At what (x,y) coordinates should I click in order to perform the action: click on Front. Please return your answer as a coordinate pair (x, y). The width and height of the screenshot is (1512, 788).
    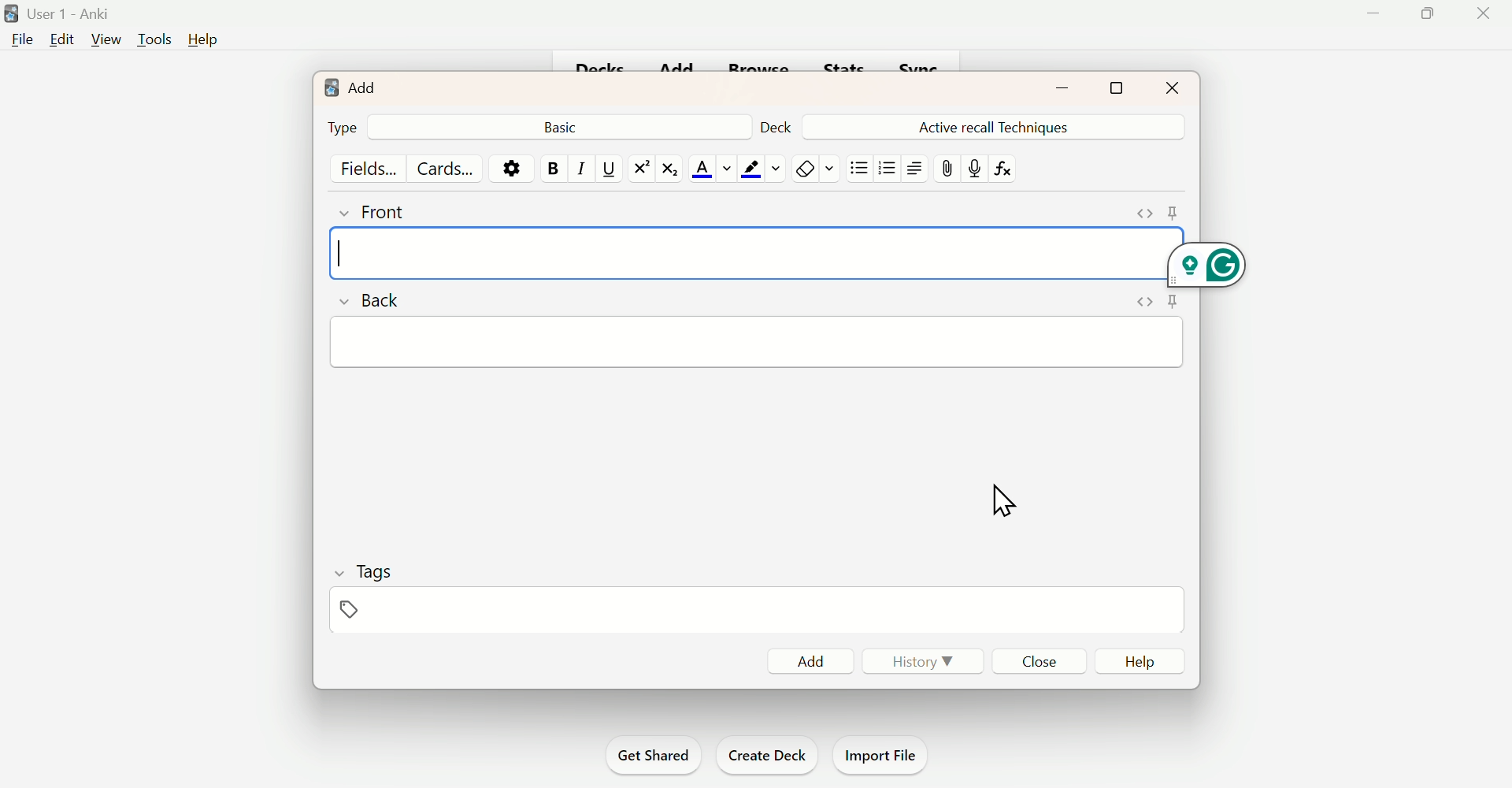
    Looking at the image, I should click on (395, 210).